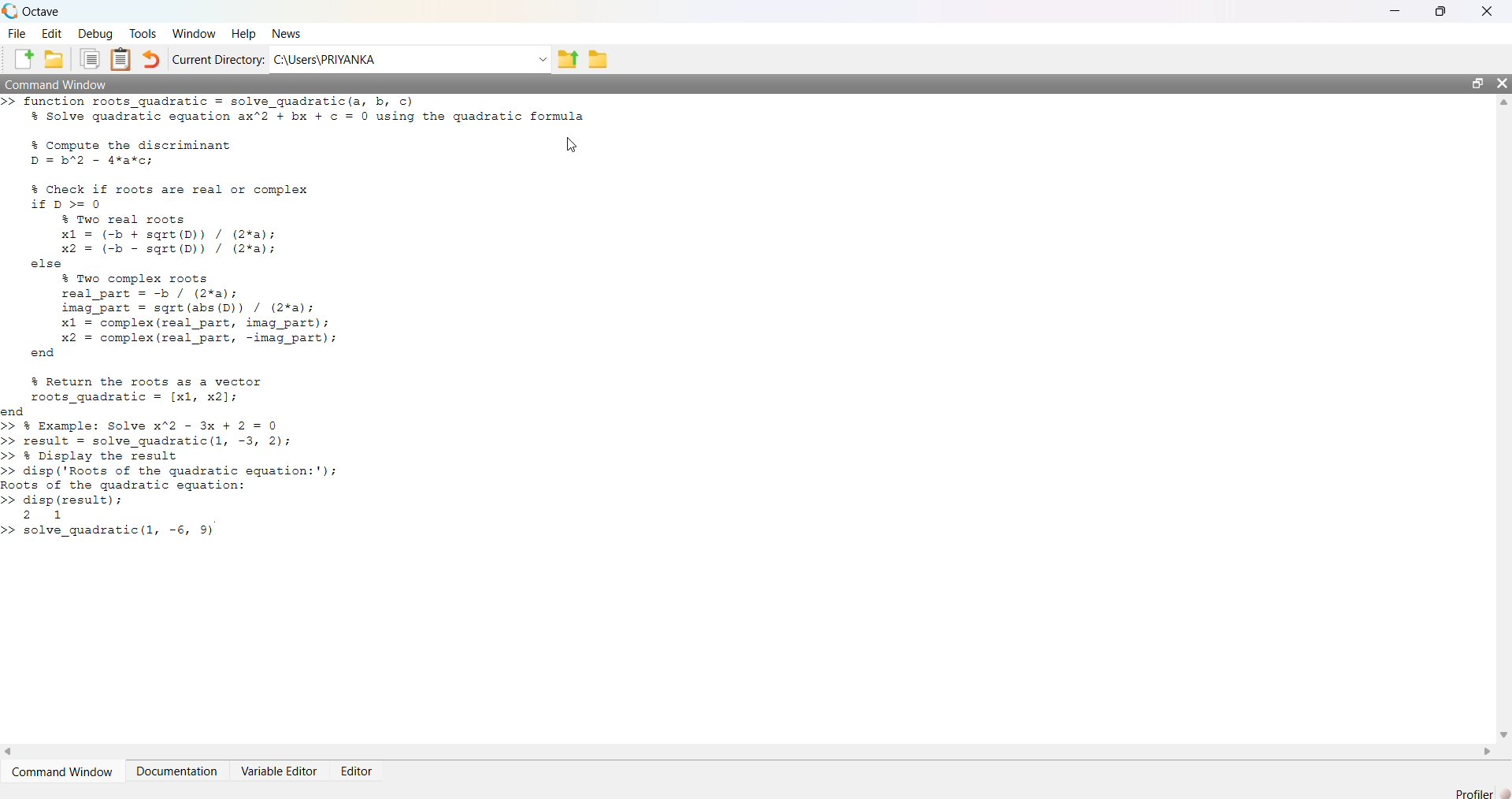 The image size is (1512, 799). Describe the element at coordinates (597, 58) in the screenshot. I see `Browse directories` at that location.